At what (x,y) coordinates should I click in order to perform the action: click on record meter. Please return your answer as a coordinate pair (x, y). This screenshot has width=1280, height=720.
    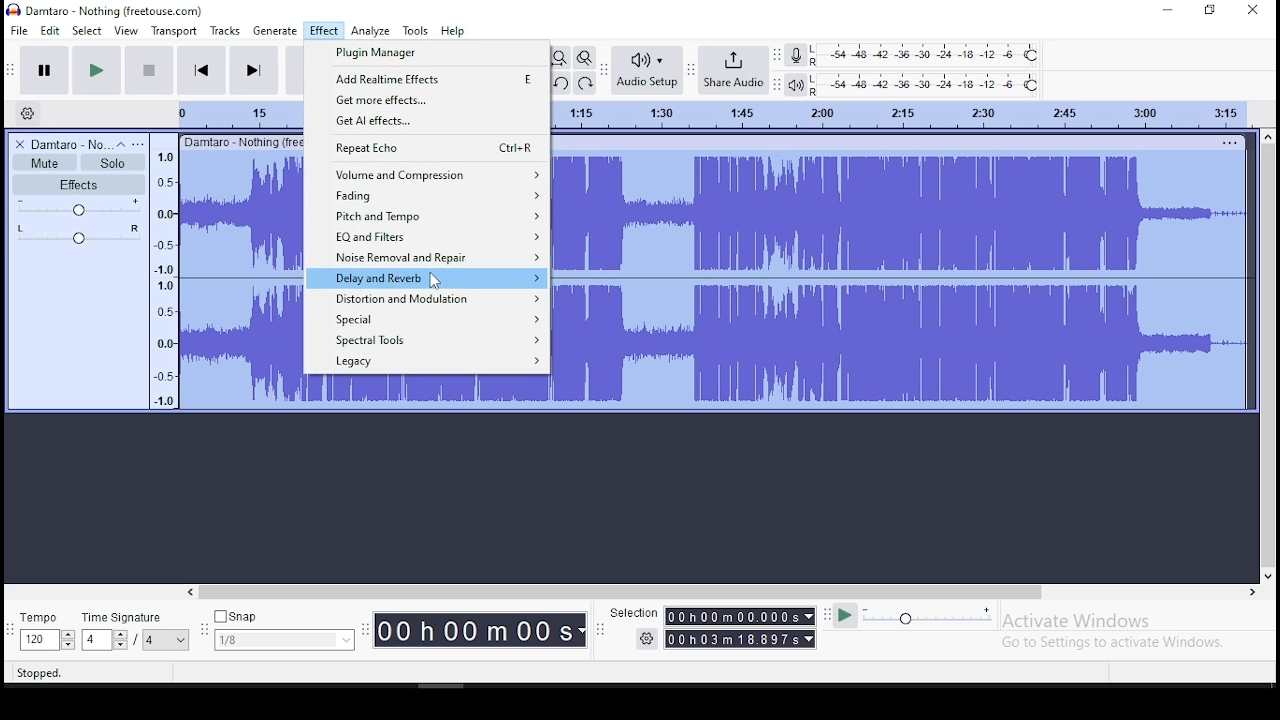
    Looking at the image, I should click on (796, 57).